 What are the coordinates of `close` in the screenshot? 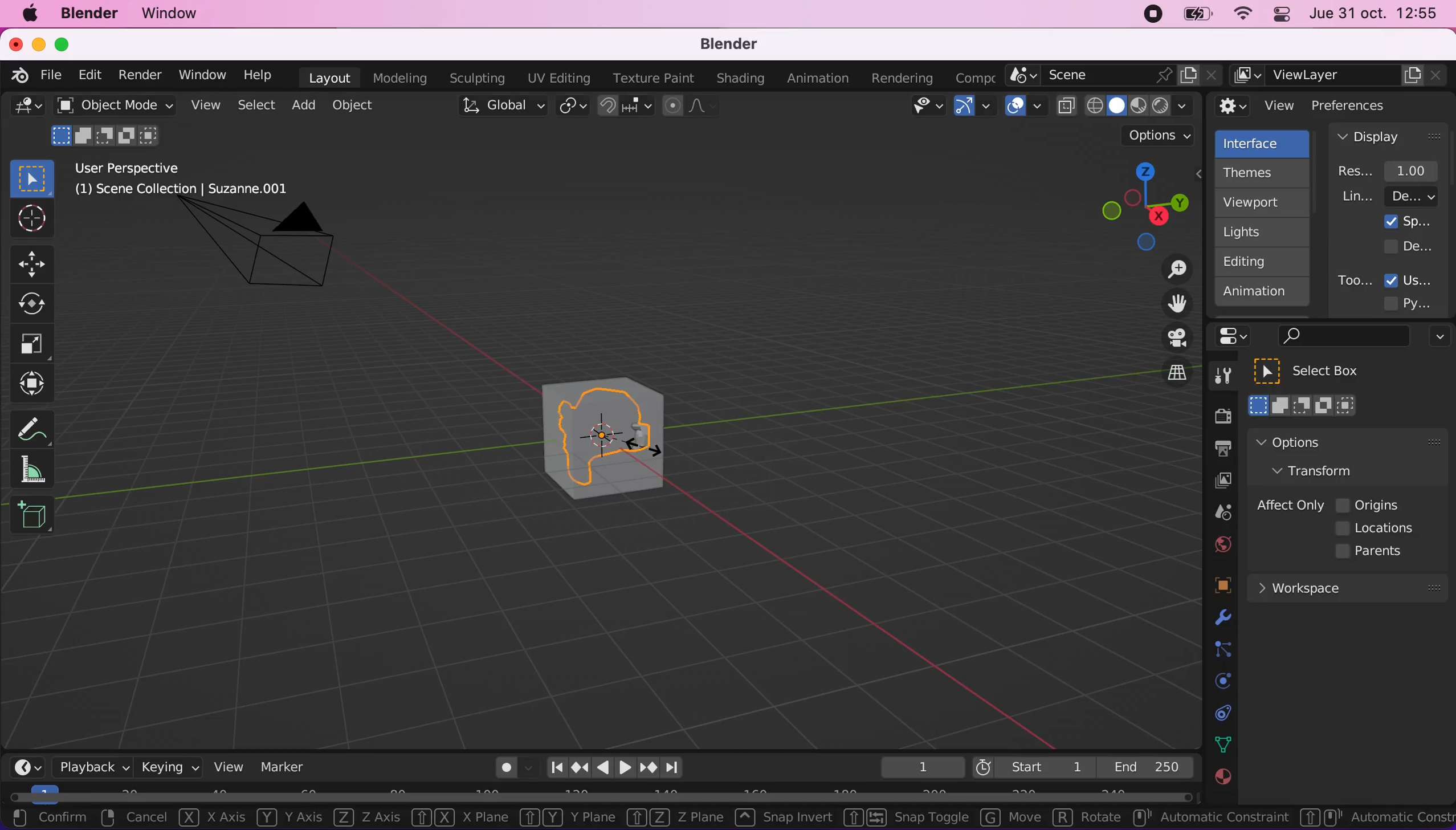 It's located at (15, 43).